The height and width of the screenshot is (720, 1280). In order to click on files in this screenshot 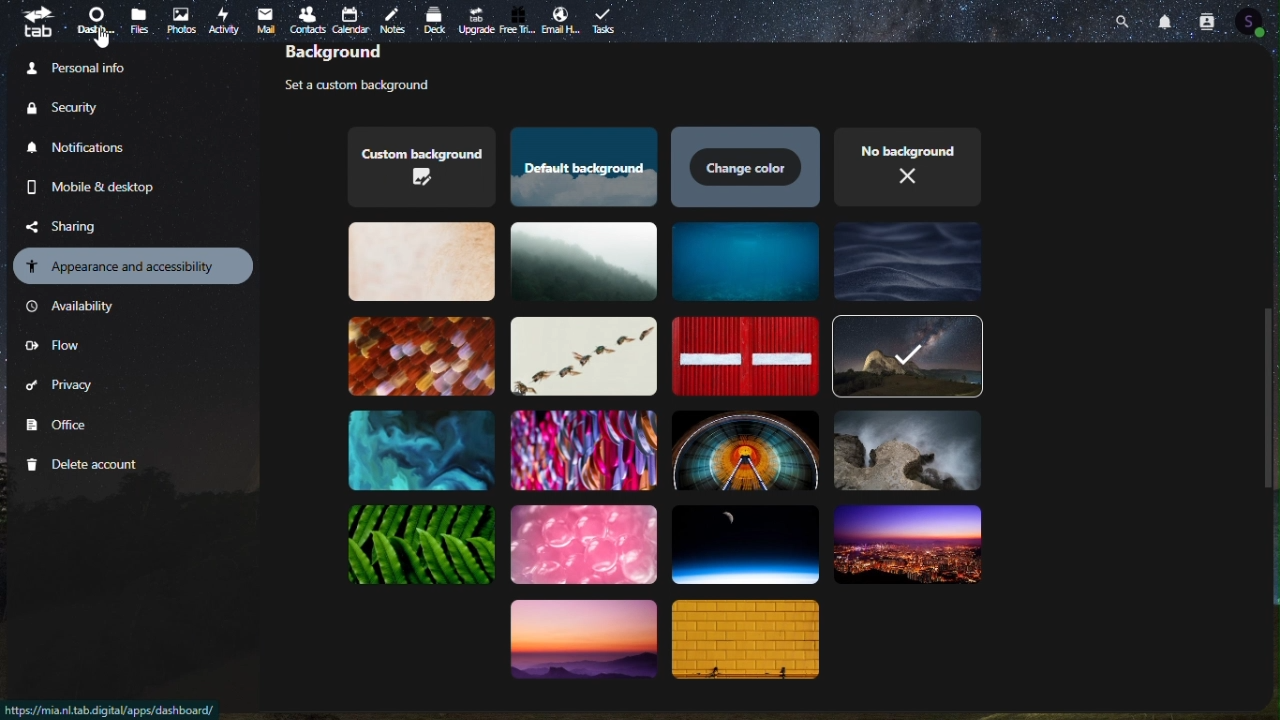, I will do `click(141, 20)`.